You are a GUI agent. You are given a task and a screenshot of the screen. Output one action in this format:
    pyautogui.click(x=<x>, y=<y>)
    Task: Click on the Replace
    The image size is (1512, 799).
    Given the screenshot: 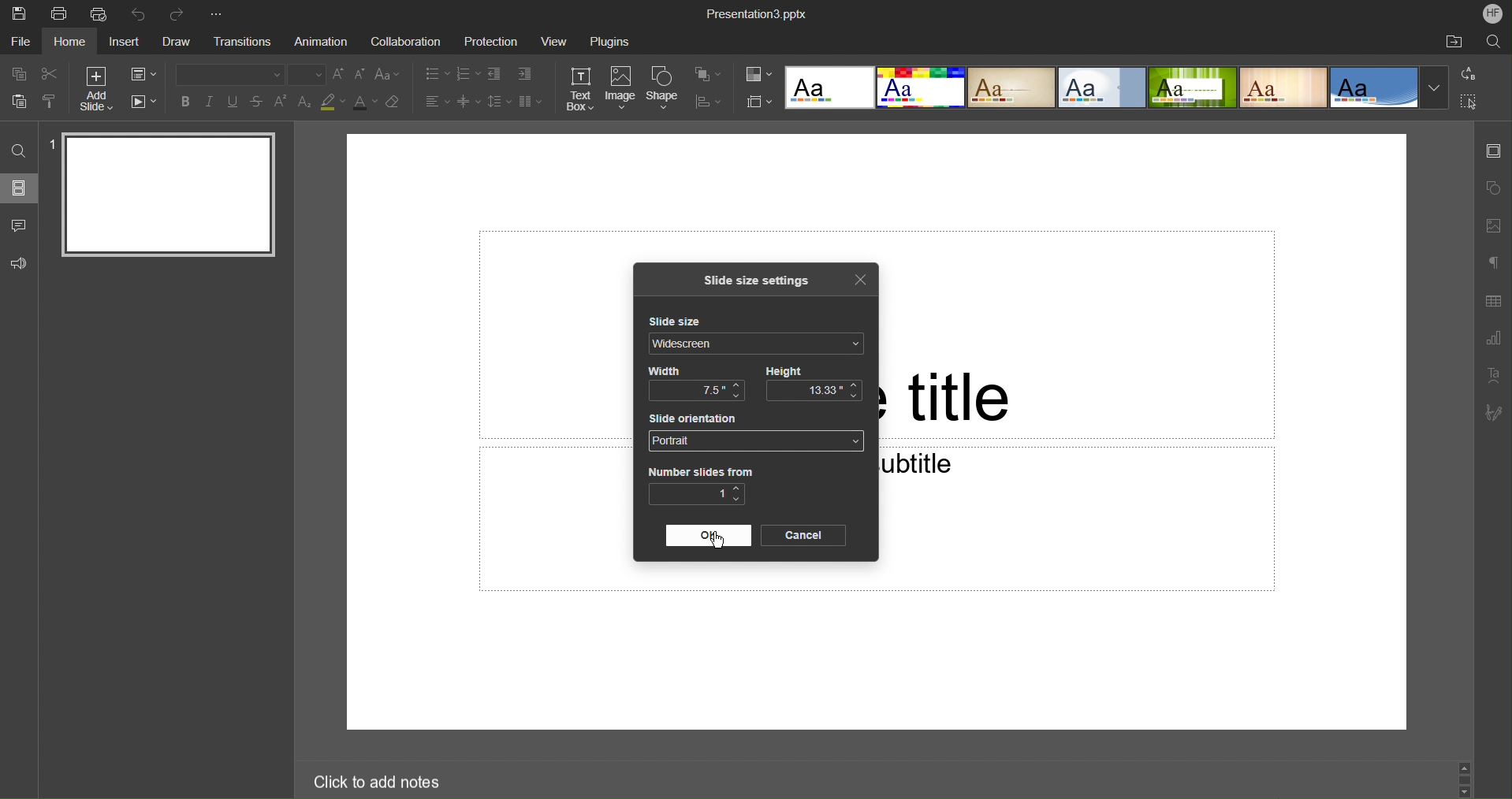 What is the action you would take?
    pyautogui.click(x=1469, y=73)
    